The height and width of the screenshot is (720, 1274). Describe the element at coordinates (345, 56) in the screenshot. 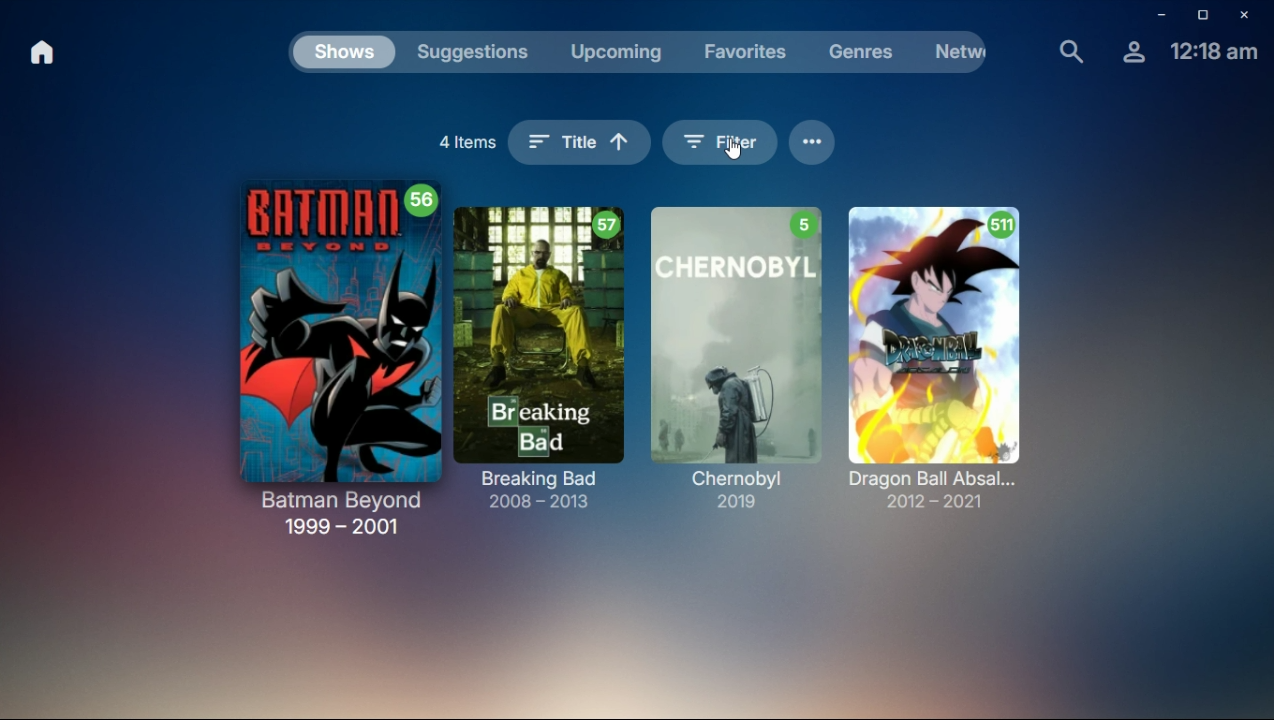

I see `shows` at that location.